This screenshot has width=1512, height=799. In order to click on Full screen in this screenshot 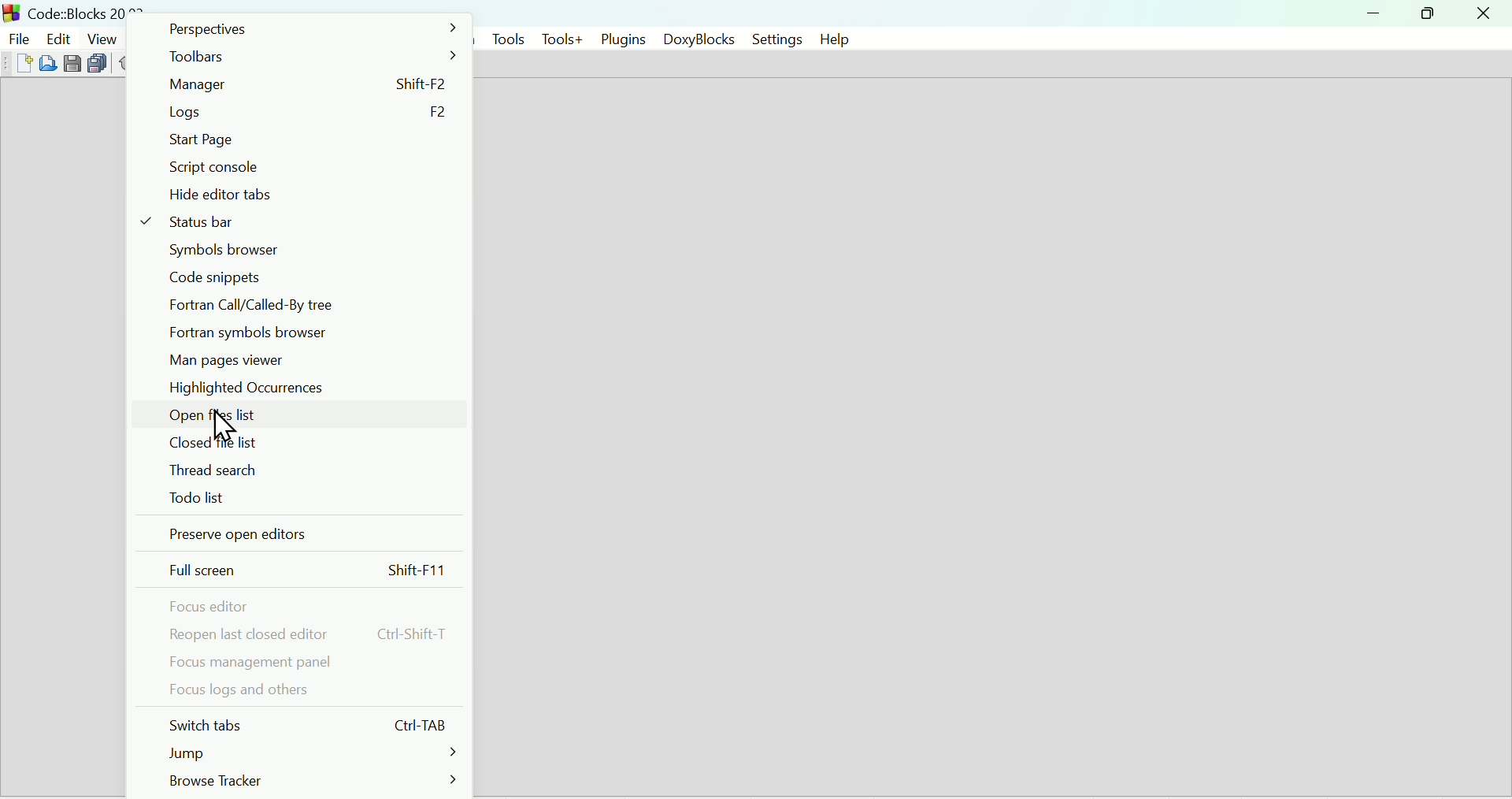, I will do `click(306, 570)`.